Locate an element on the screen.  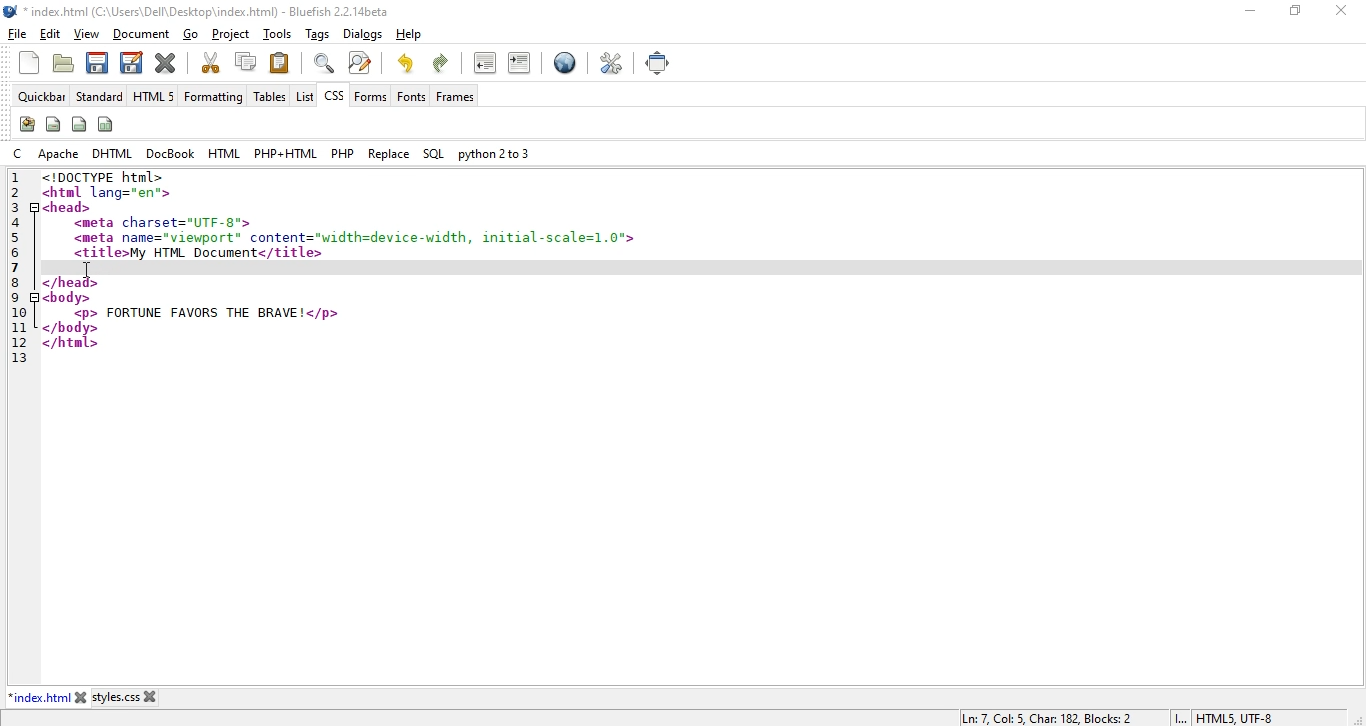
11 is located at coordinates (18, 326).